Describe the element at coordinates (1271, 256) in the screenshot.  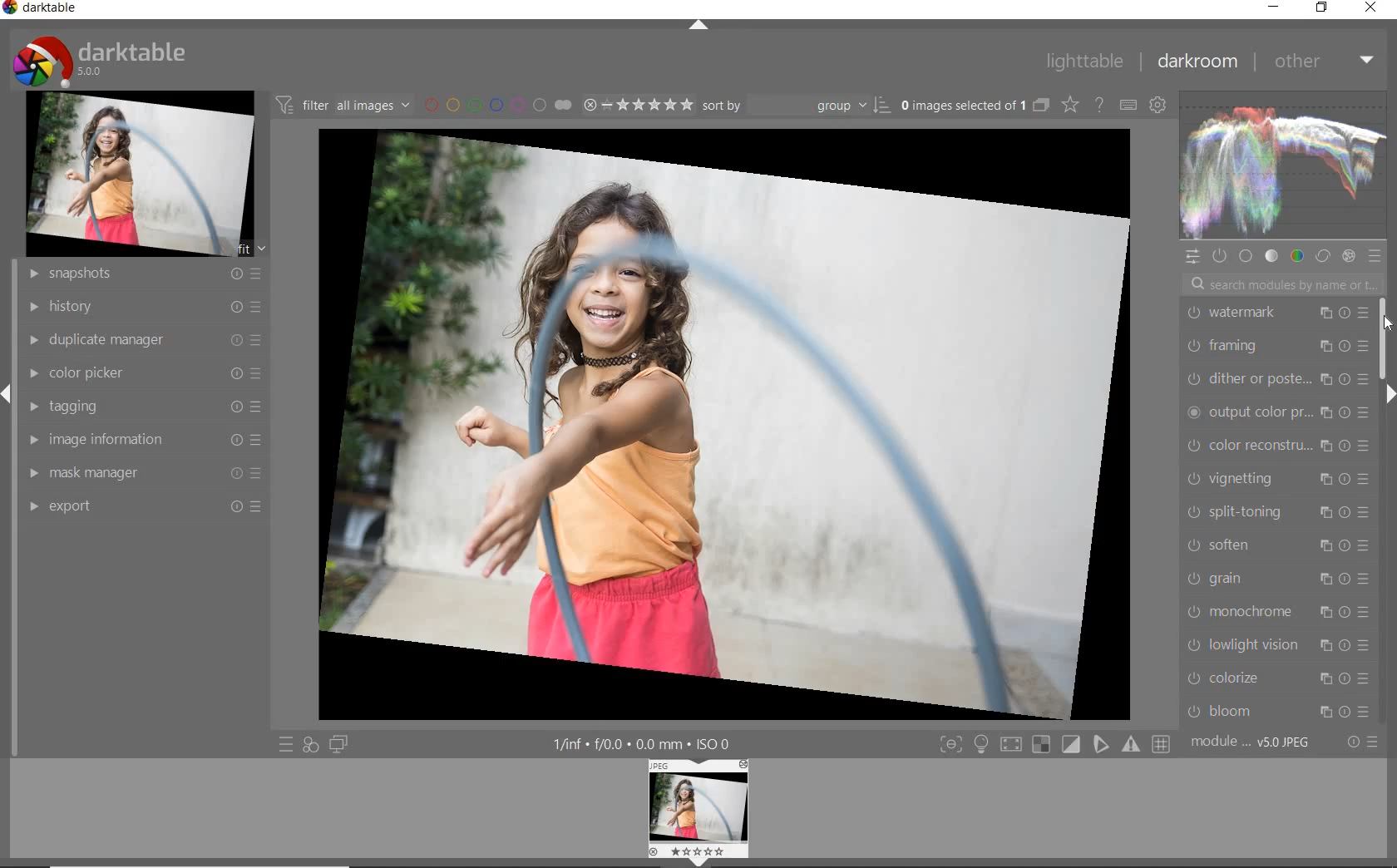
I see `tone` at that location.